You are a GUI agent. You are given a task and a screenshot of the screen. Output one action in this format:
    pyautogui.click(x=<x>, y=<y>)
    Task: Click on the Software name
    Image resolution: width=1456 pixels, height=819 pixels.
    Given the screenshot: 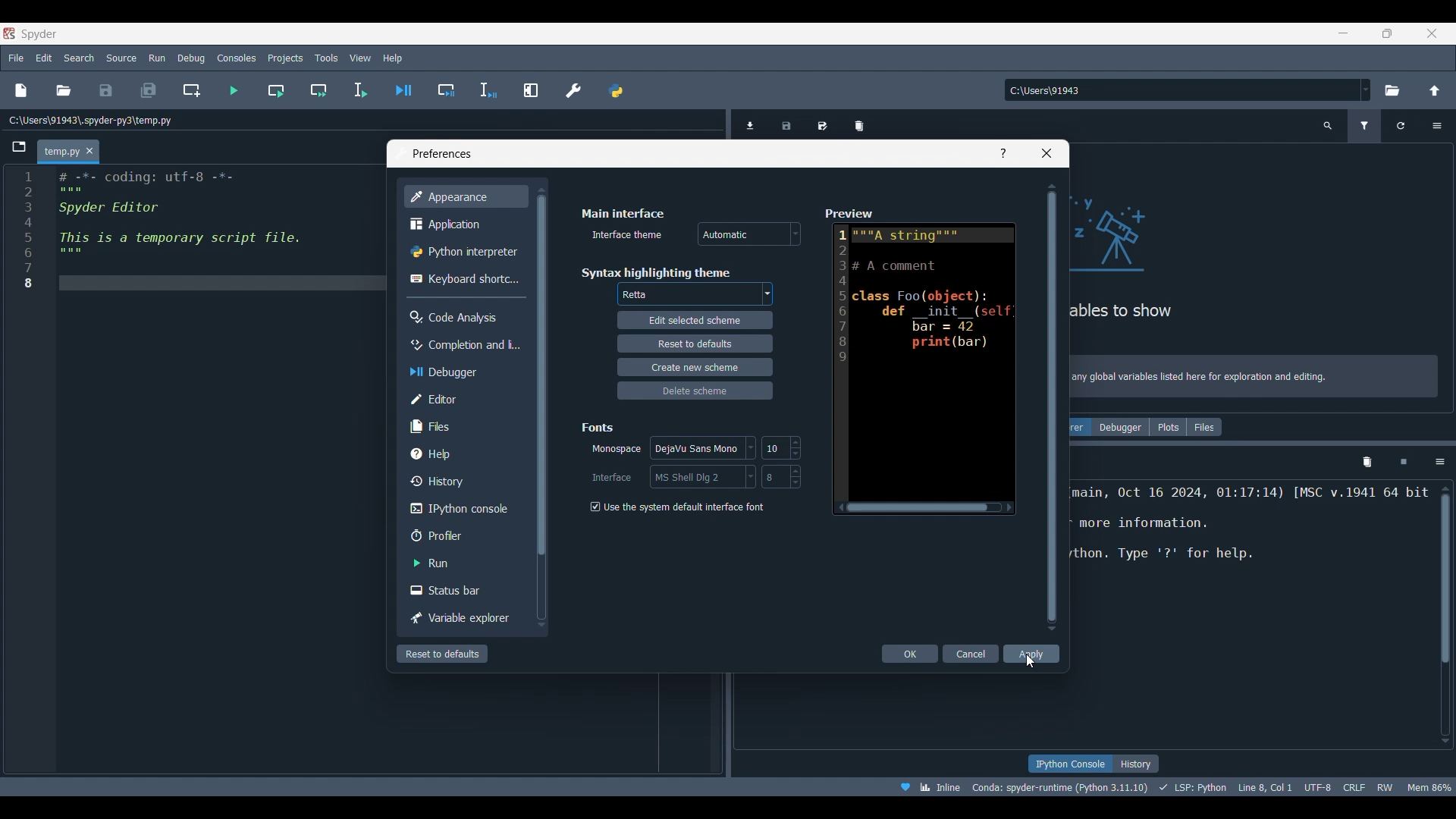 What is the action you would take?
    pyautogui.click(x=39, y=33)
    